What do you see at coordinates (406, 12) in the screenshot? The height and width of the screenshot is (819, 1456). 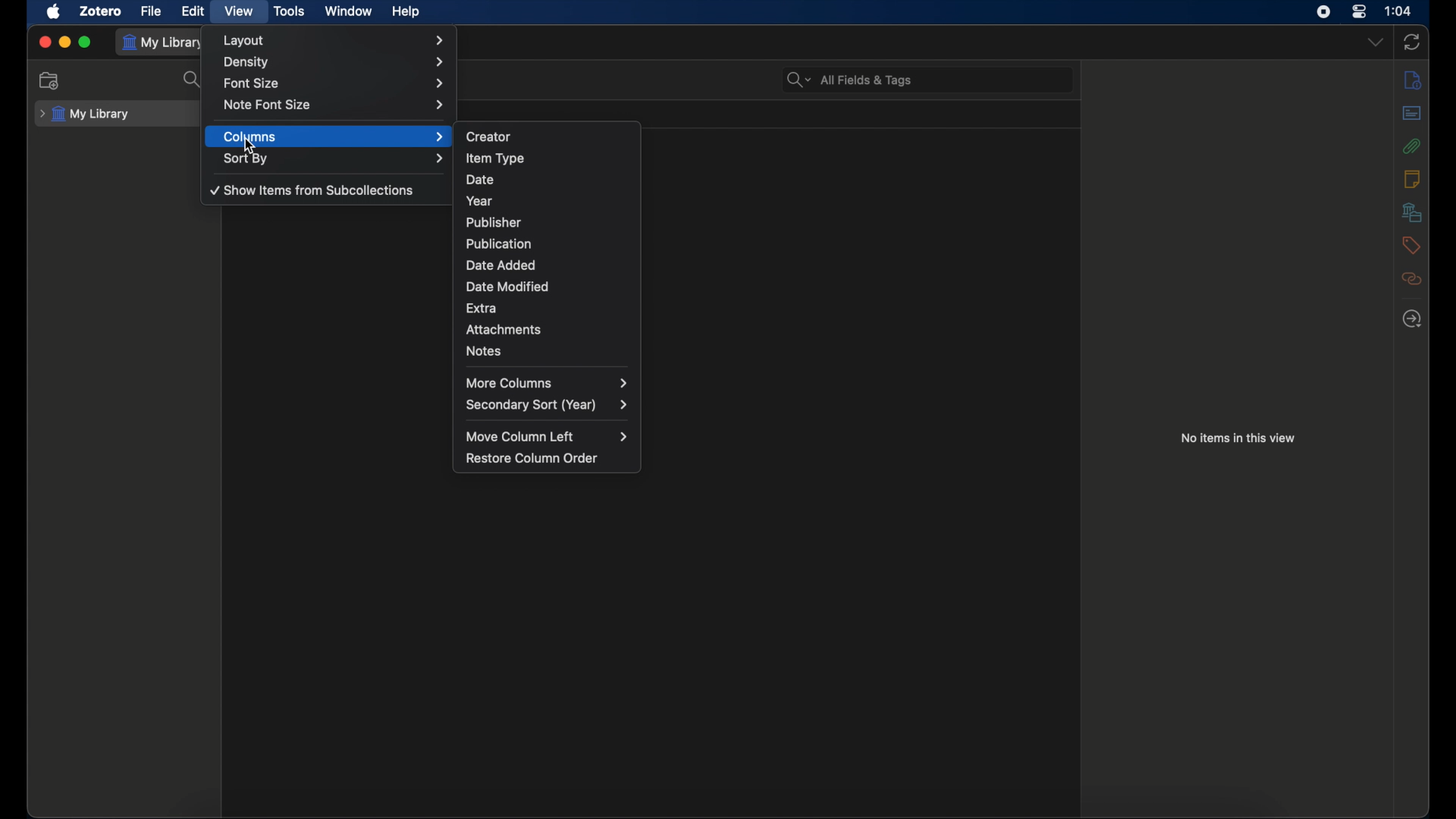 I see `help` at bounding box center [406, 12].